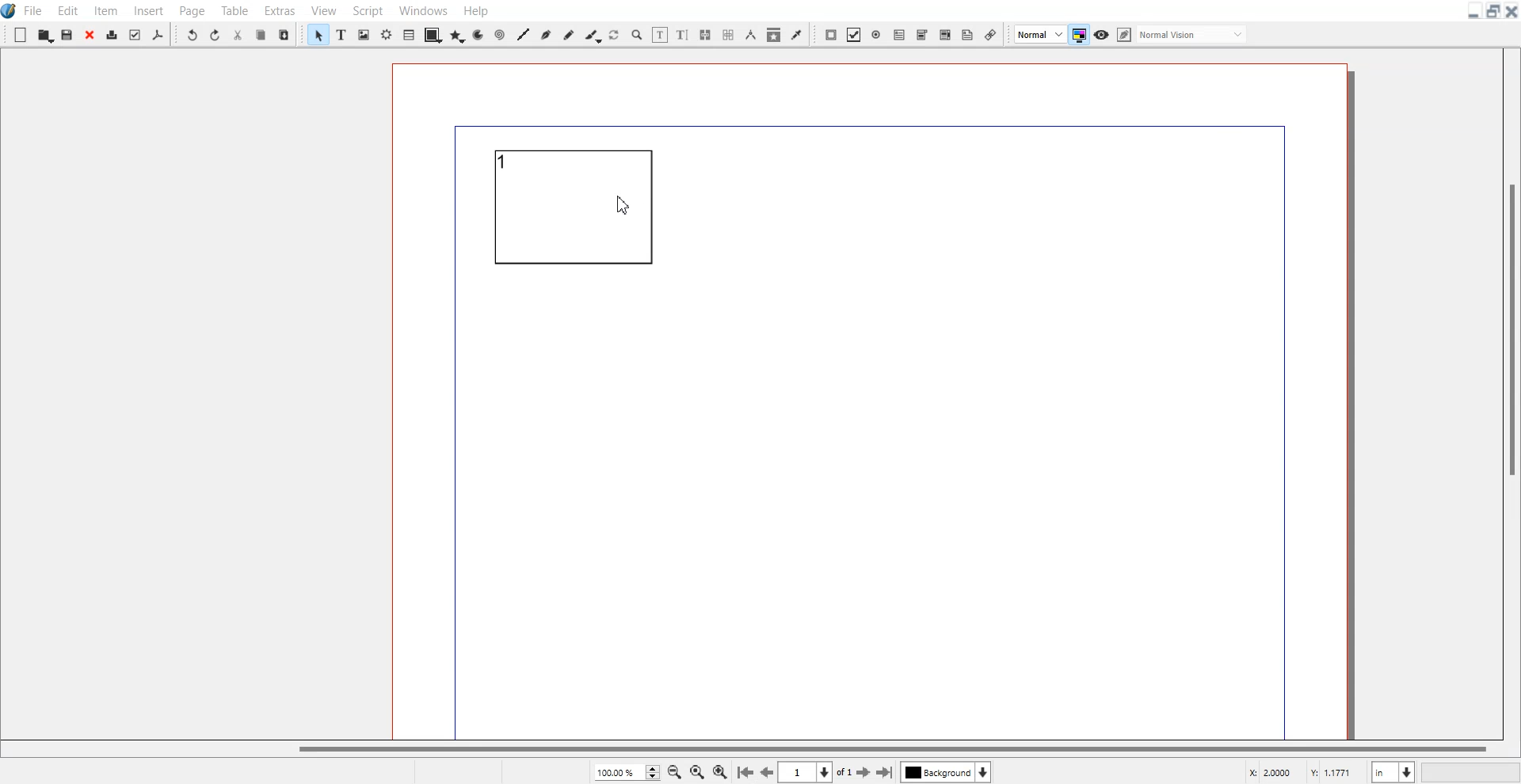 This screenshot has height=784, width=1521. What do you see at coordinates (20, 35) in the screenshot?
I see `New` at bounding box center [20, 35].